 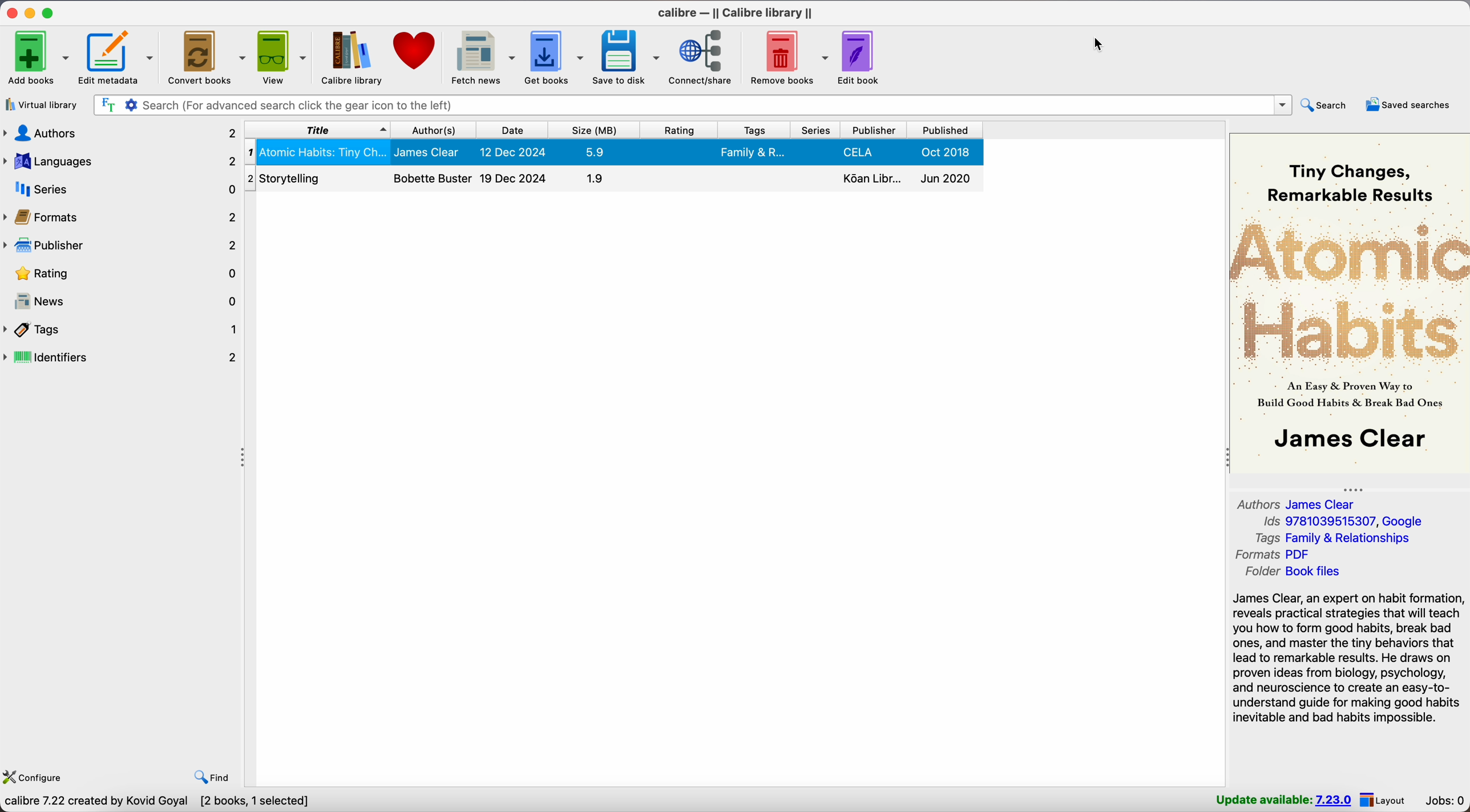 I want to click on languages, so click(x=122, y=161).